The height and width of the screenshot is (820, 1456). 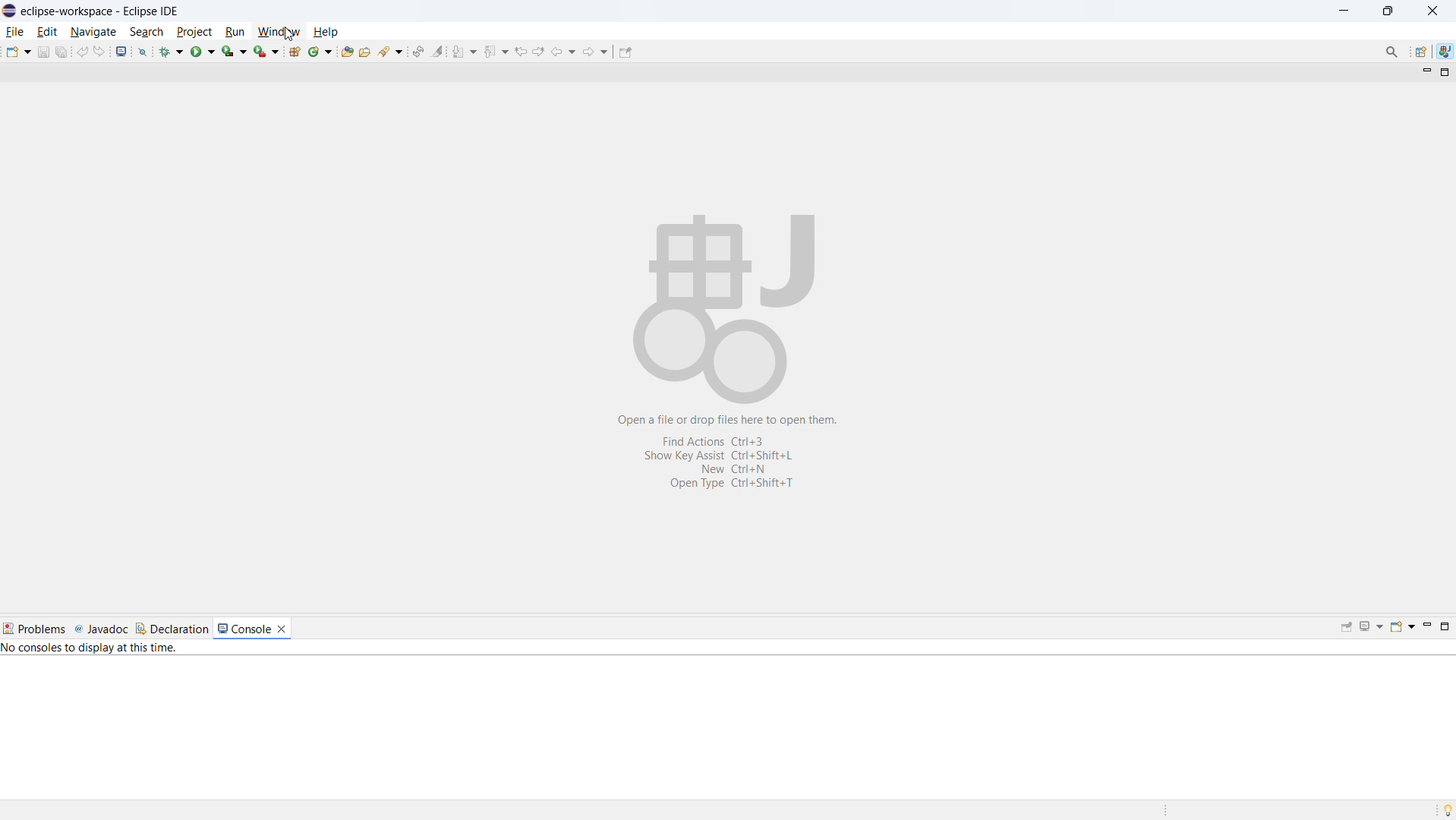 What do you see at coordinates (62, 52) in the screenshot?
I see `save all` at bounding box center [62, 52].